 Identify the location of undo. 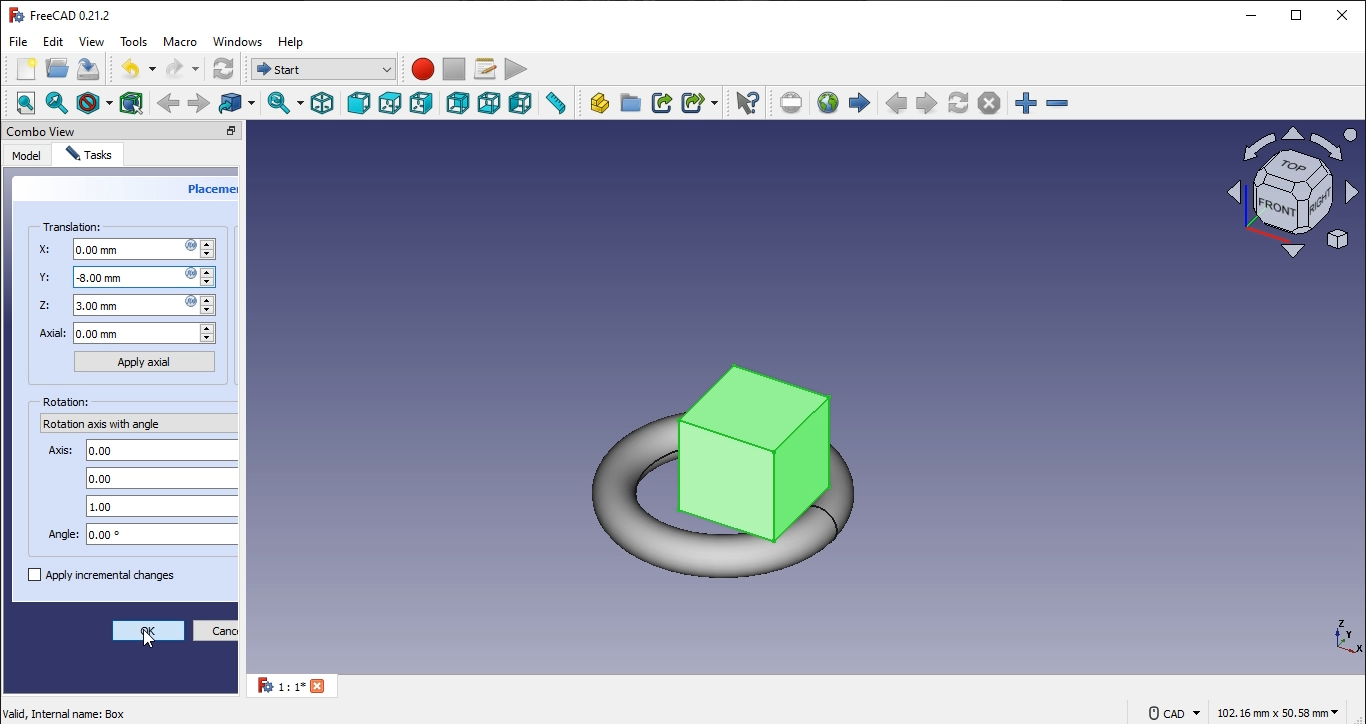
(138, 68).